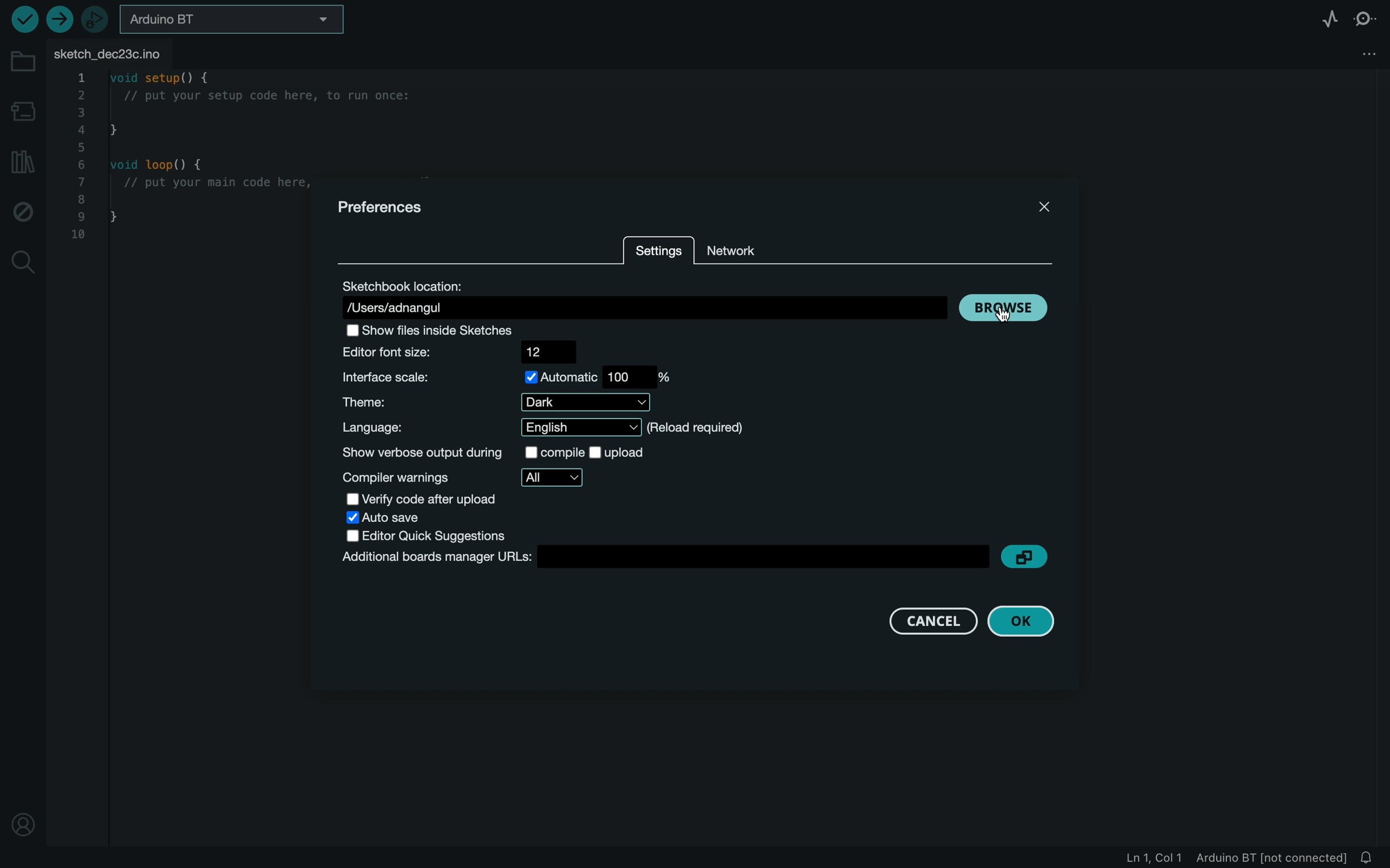  What do you see at coordinates (1368, 18) in the screenshot?
I see `serial monitor` at bounding box center [1368, 18].